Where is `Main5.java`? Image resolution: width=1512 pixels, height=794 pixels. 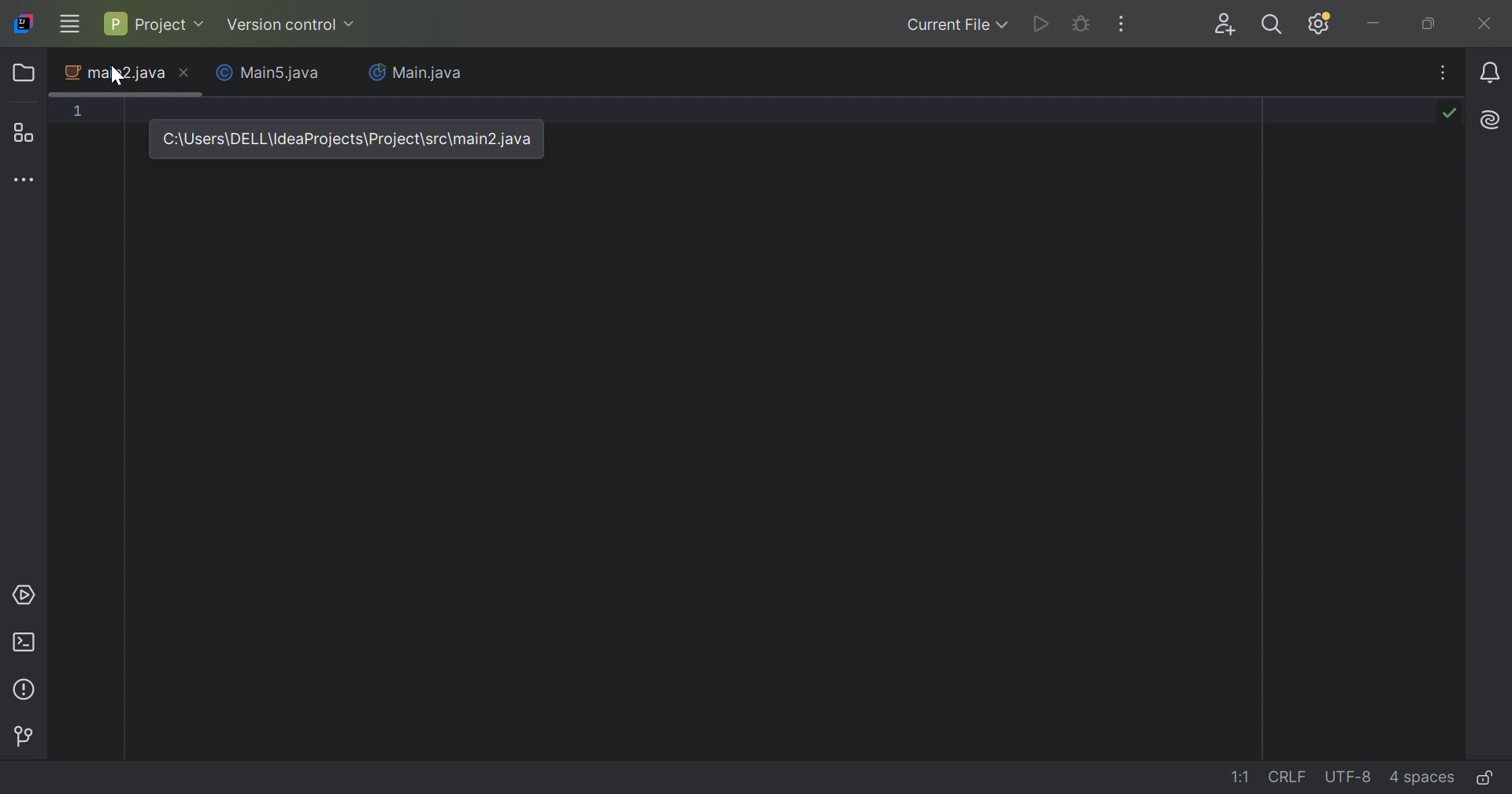 Main5.java is located at coordinates (272, 74).